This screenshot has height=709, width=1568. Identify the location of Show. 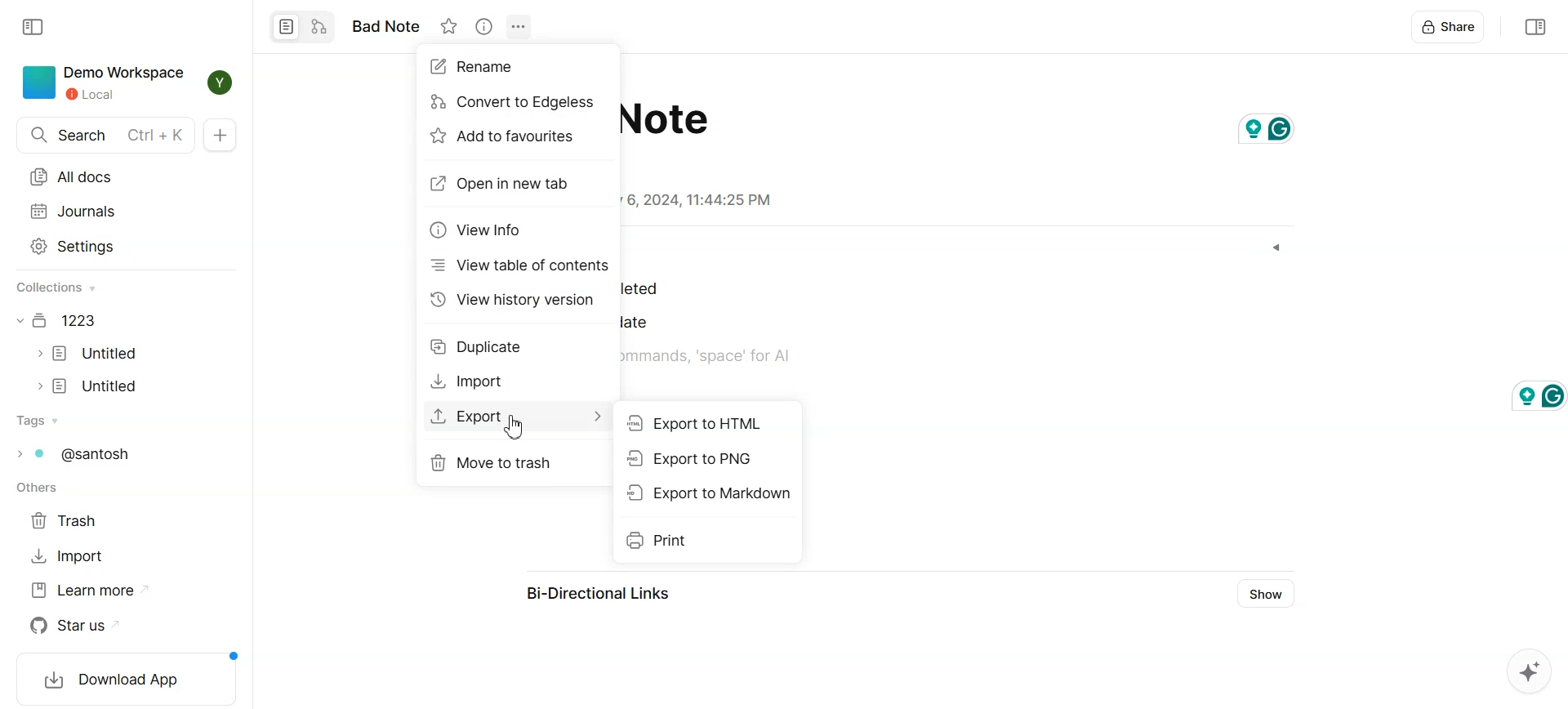
(1263, 594).